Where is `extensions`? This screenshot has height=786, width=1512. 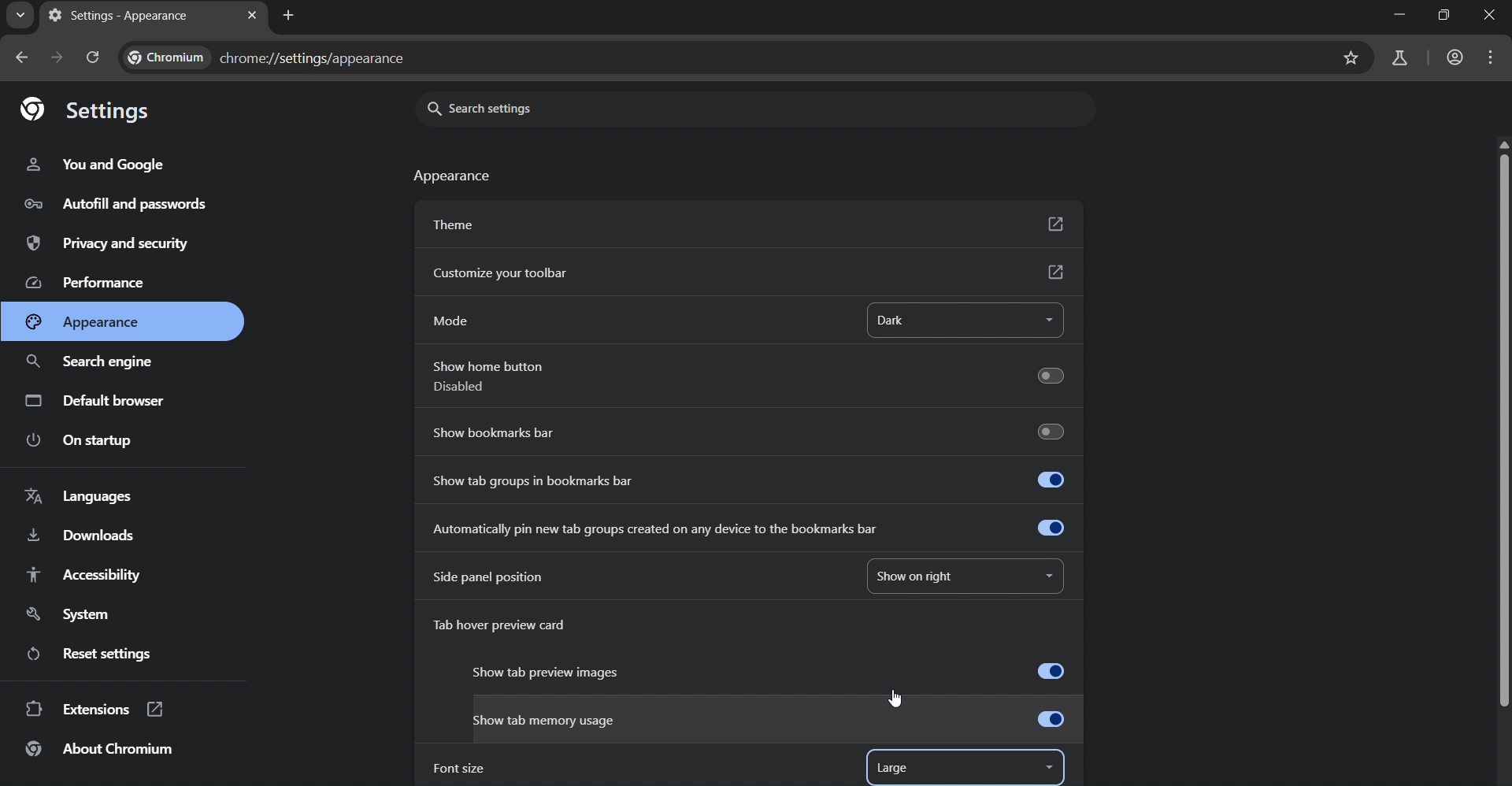
extensions is located at coordinates (93, 710).